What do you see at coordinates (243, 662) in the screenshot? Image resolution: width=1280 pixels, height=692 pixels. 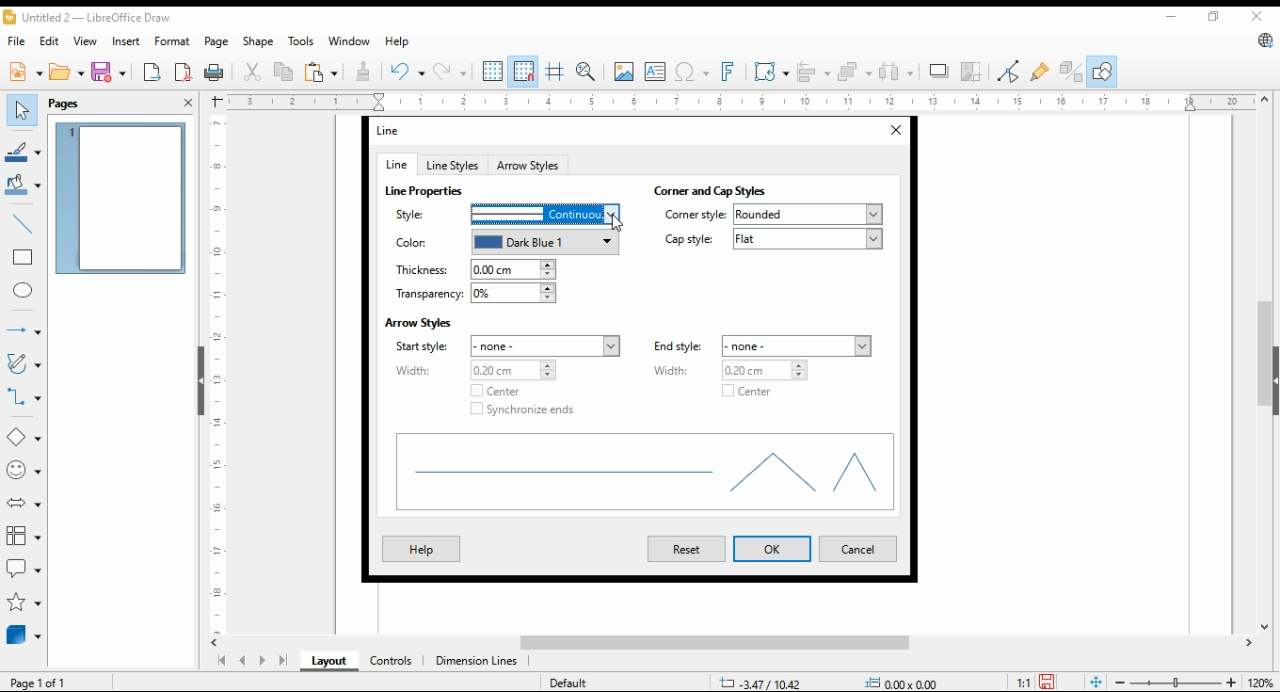 I see `previous page` at bounding box center [243, 662].